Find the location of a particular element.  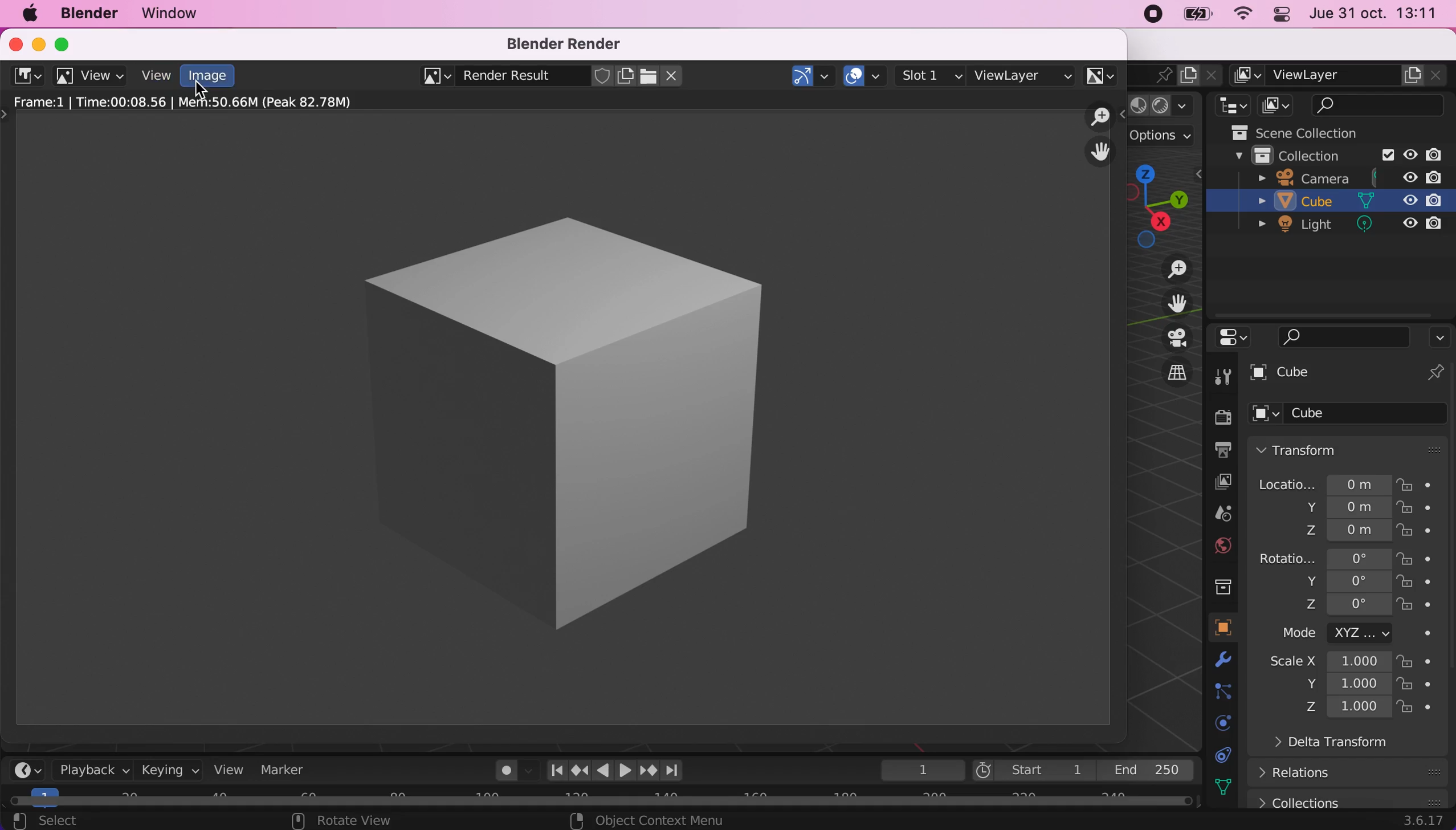

blender render is located at coordinates (569, 44).